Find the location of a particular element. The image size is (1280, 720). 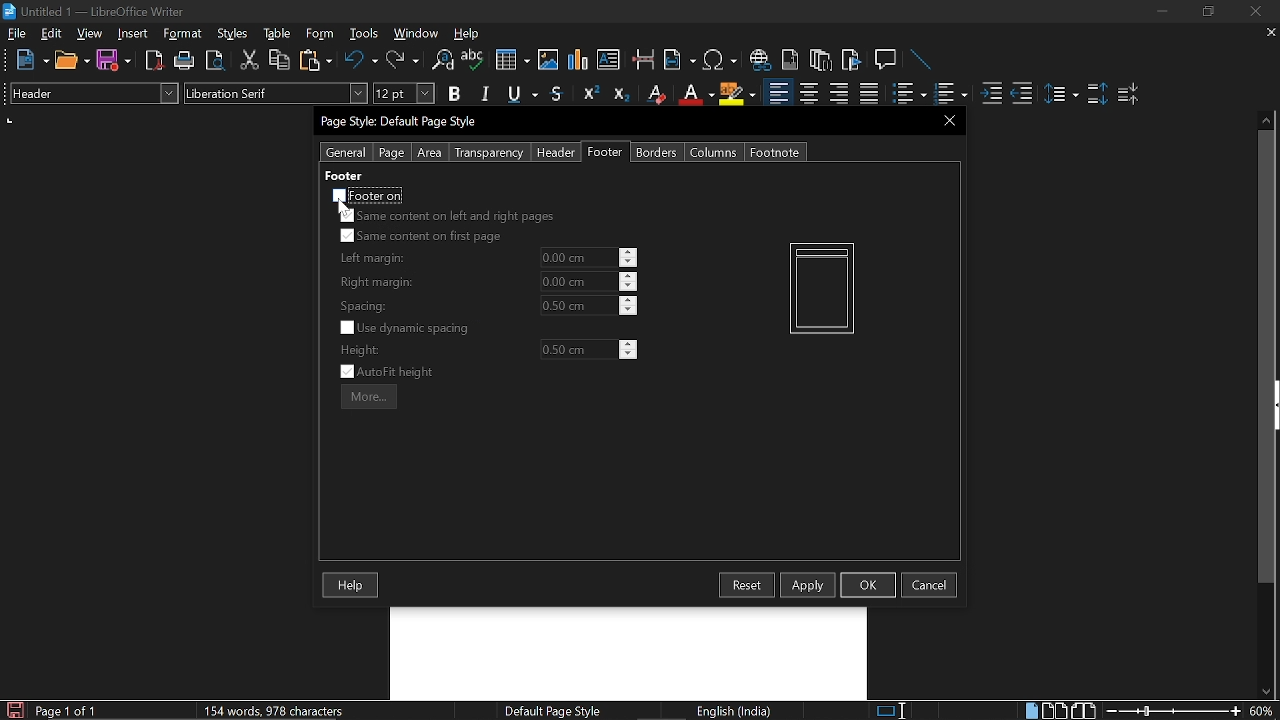

Styles is located at coordinates (233, 34).